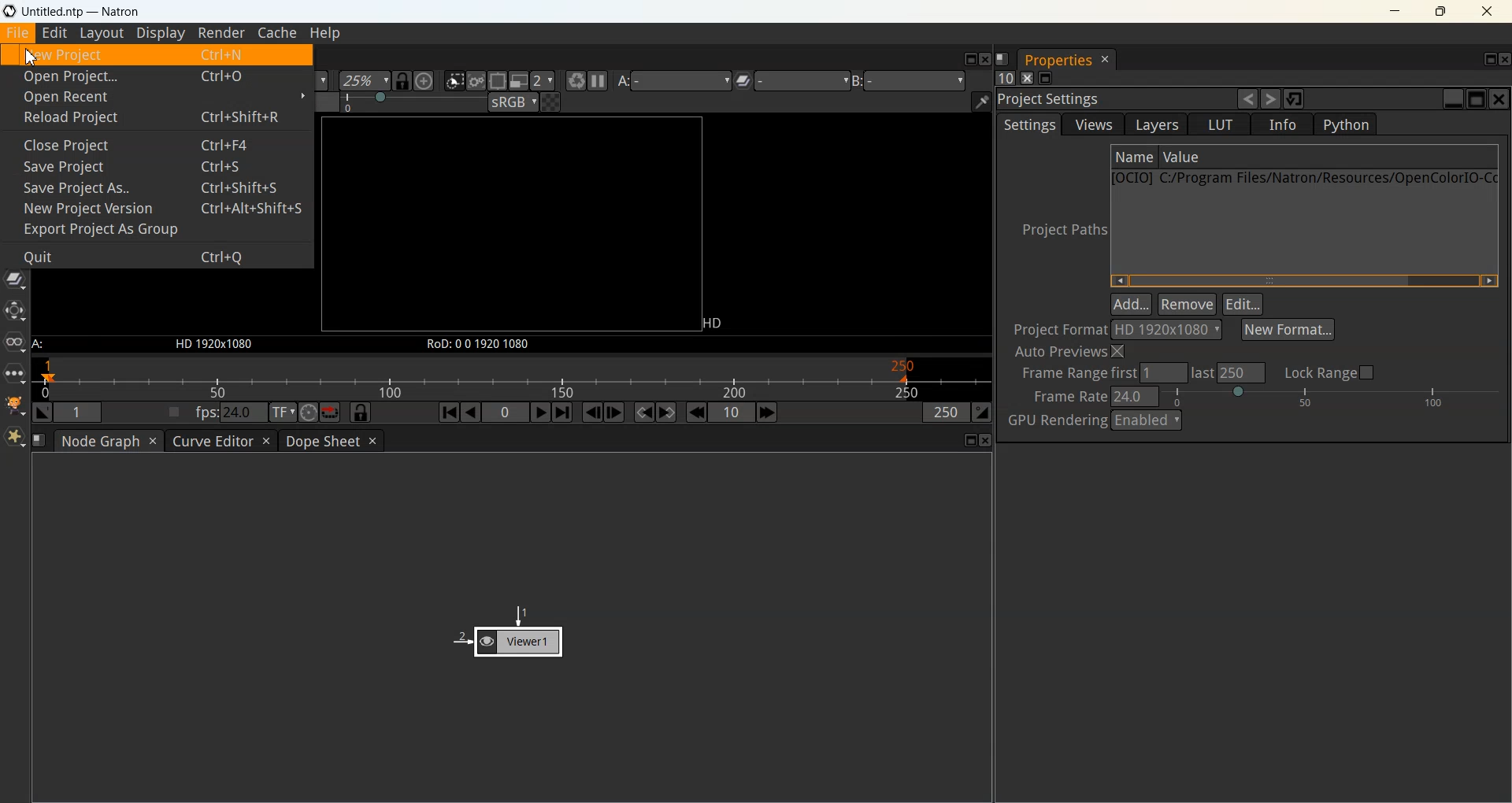  What do you see at coordinates (454, 80) in the screenshot?
I see `Clips the image` at bounding box center [454, 80].